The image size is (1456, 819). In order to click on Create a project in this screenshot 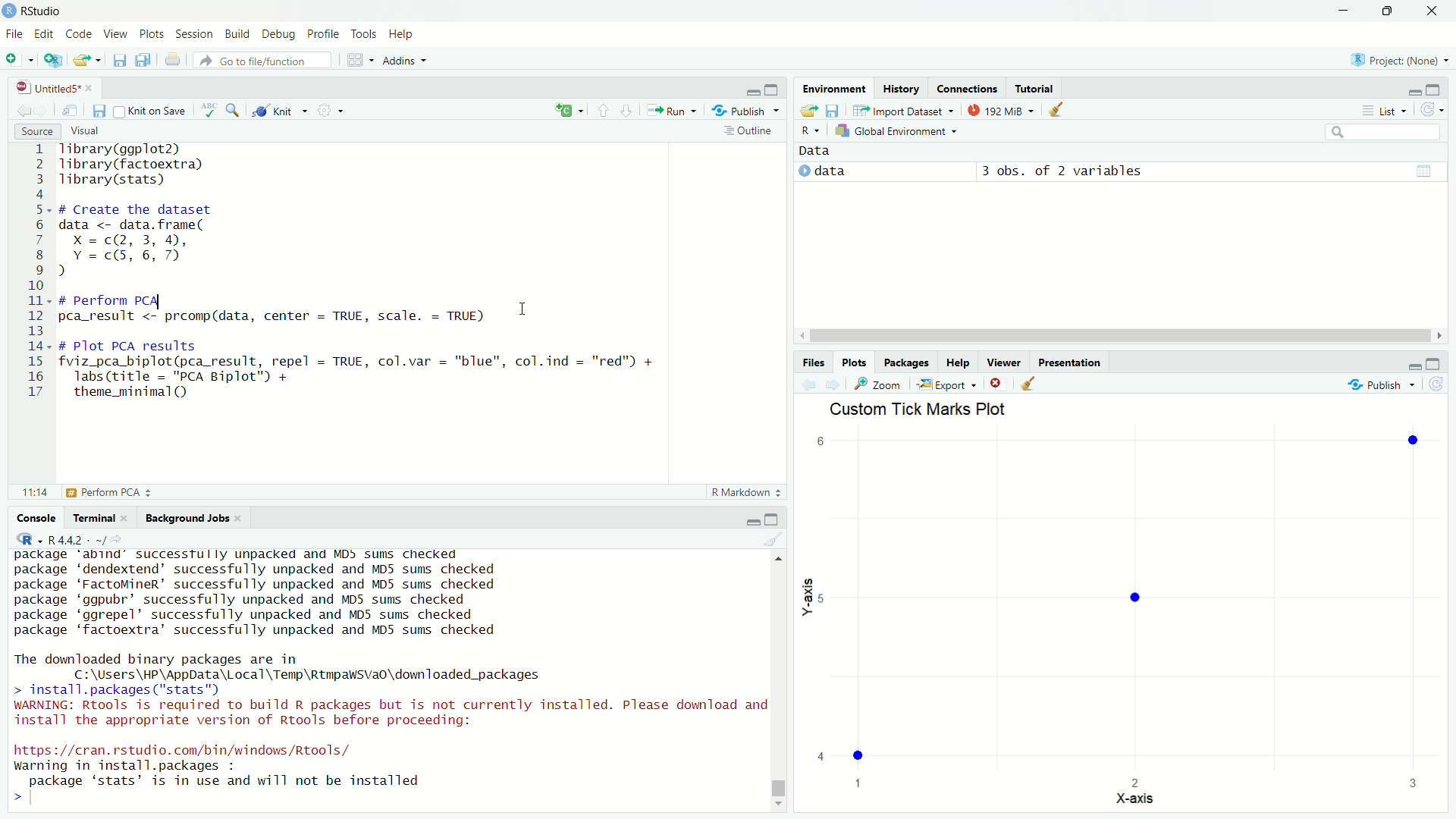, I will do `click(53, 60)`.